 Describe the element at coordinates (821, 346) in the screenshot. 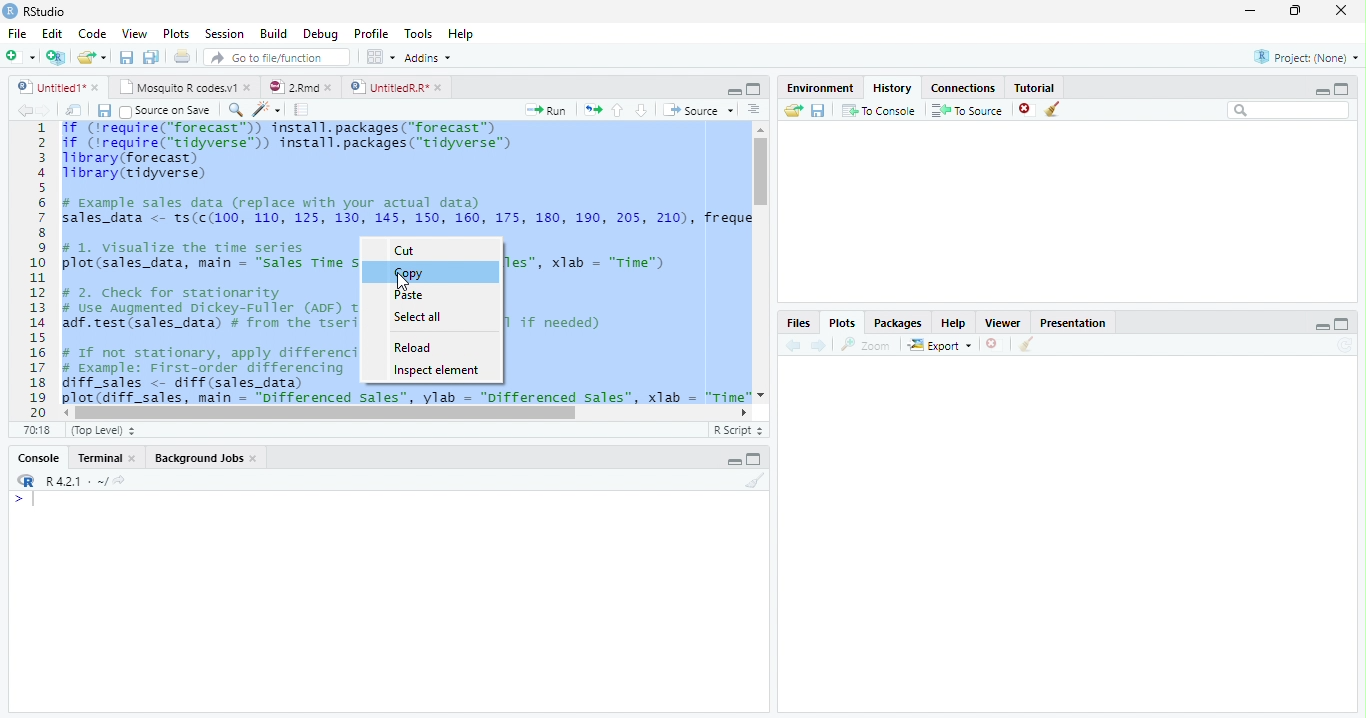

I see `Next` at that location.